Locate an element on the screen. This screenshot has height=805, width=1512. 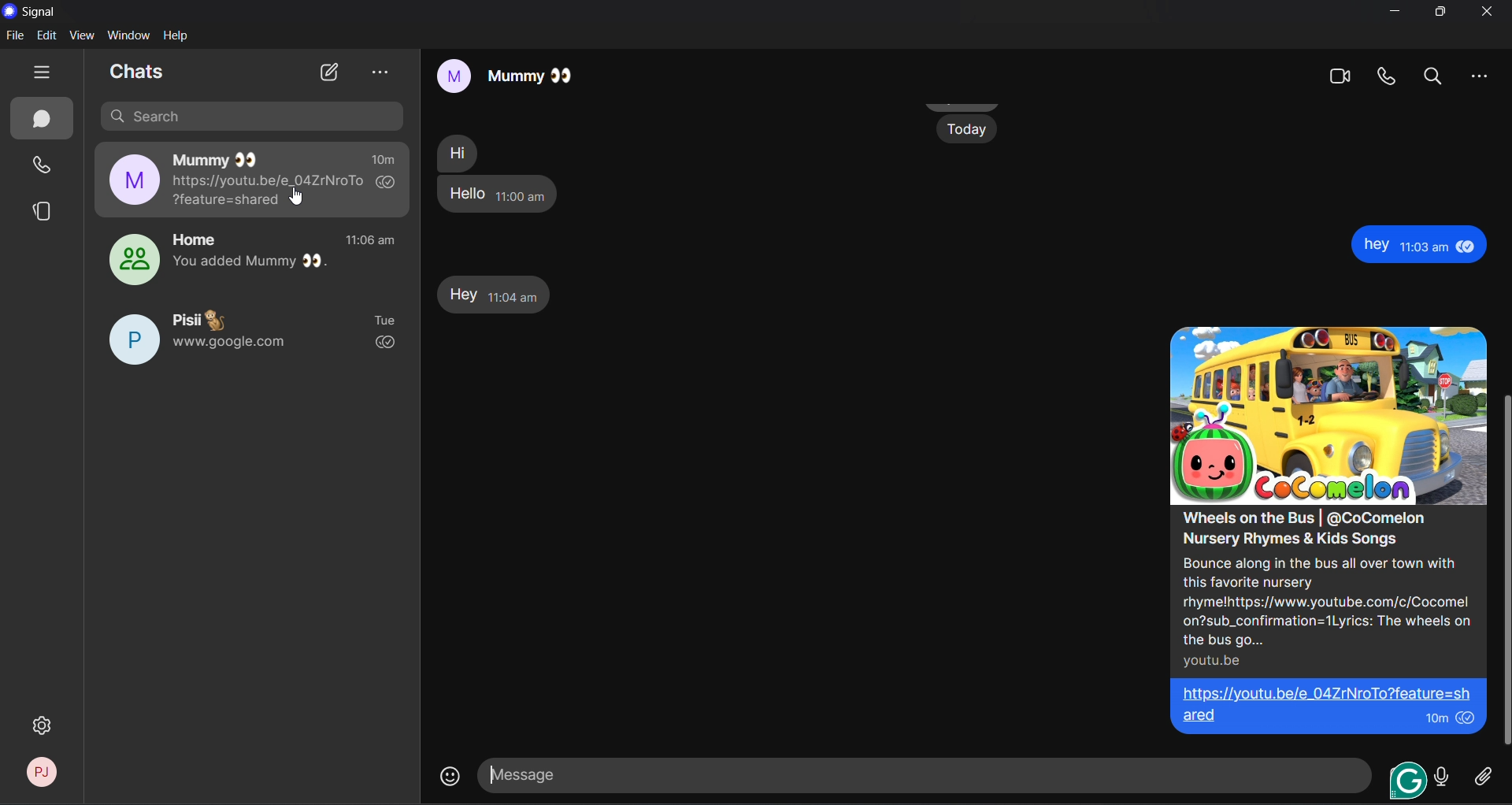
vertical scroll bar is located at coordinates (1503, 572).